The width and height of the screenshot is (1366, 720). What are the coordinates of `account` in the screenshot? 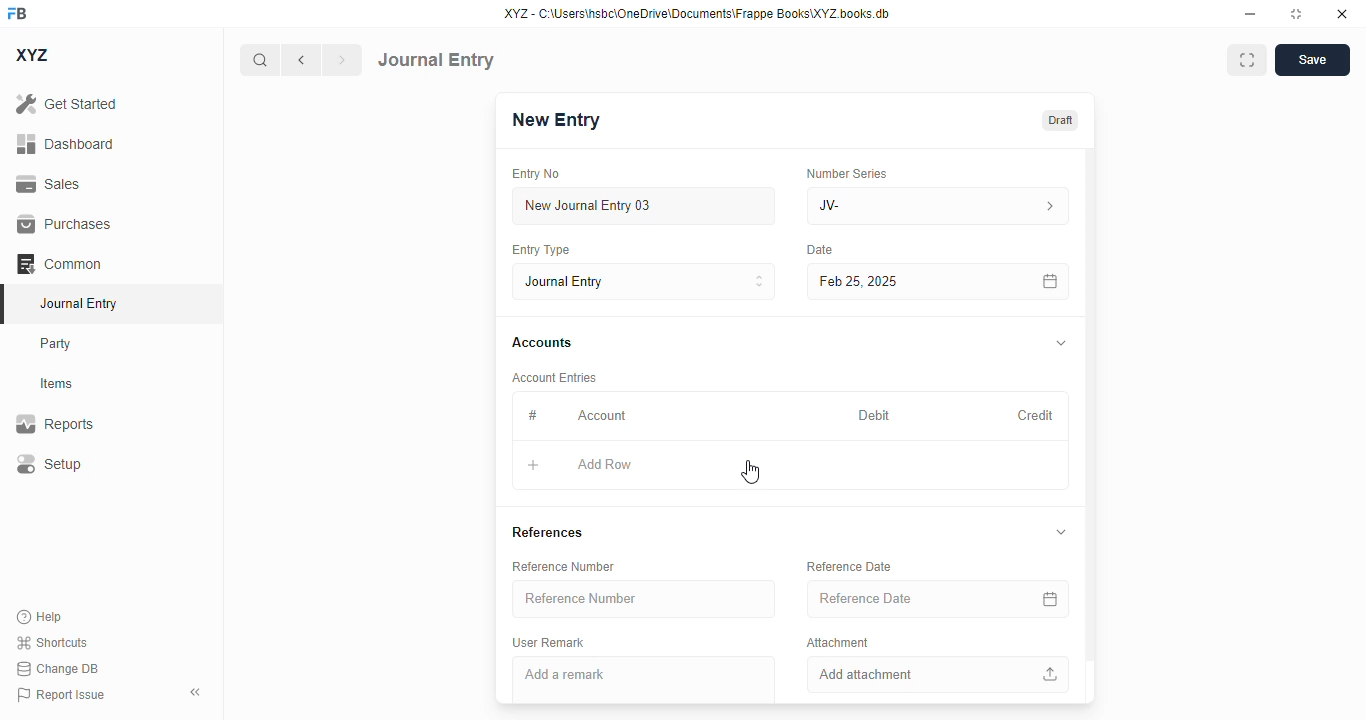 It's located at (602, 416).